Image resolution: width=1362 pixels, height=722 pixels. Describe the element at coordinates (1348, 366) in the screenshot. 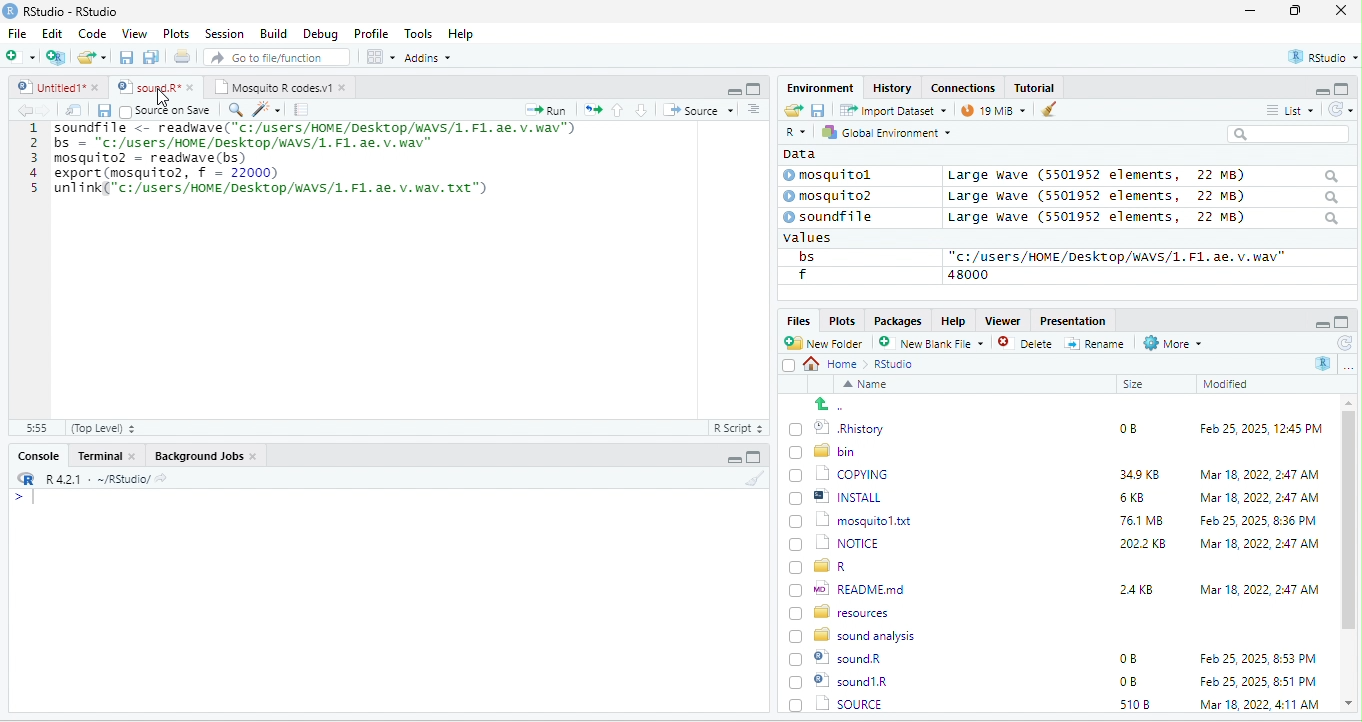

I see `more` at that location.